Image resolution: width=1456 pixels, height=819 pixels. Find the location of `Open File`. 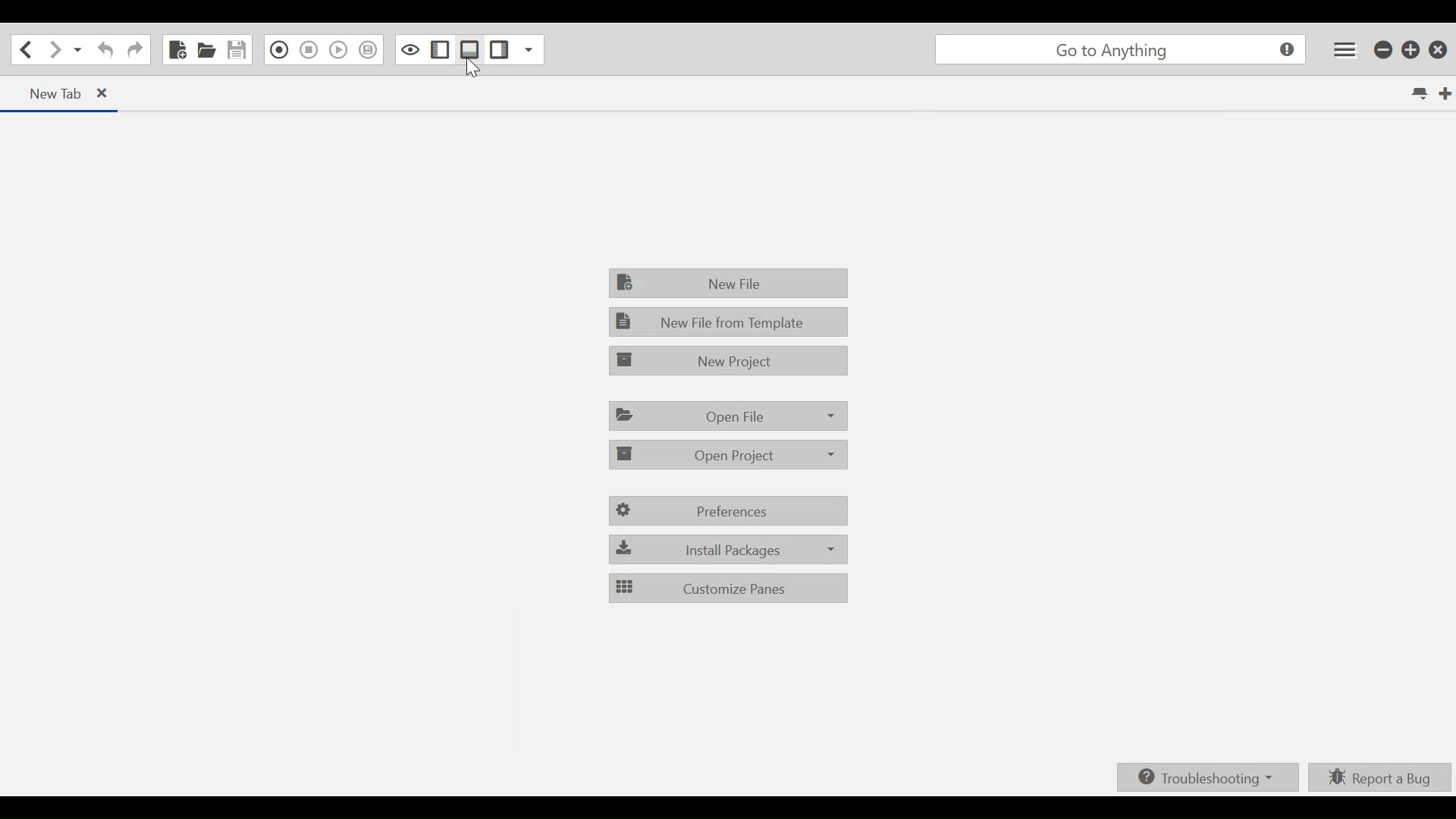

Open File is located at coordinates (727, 416).